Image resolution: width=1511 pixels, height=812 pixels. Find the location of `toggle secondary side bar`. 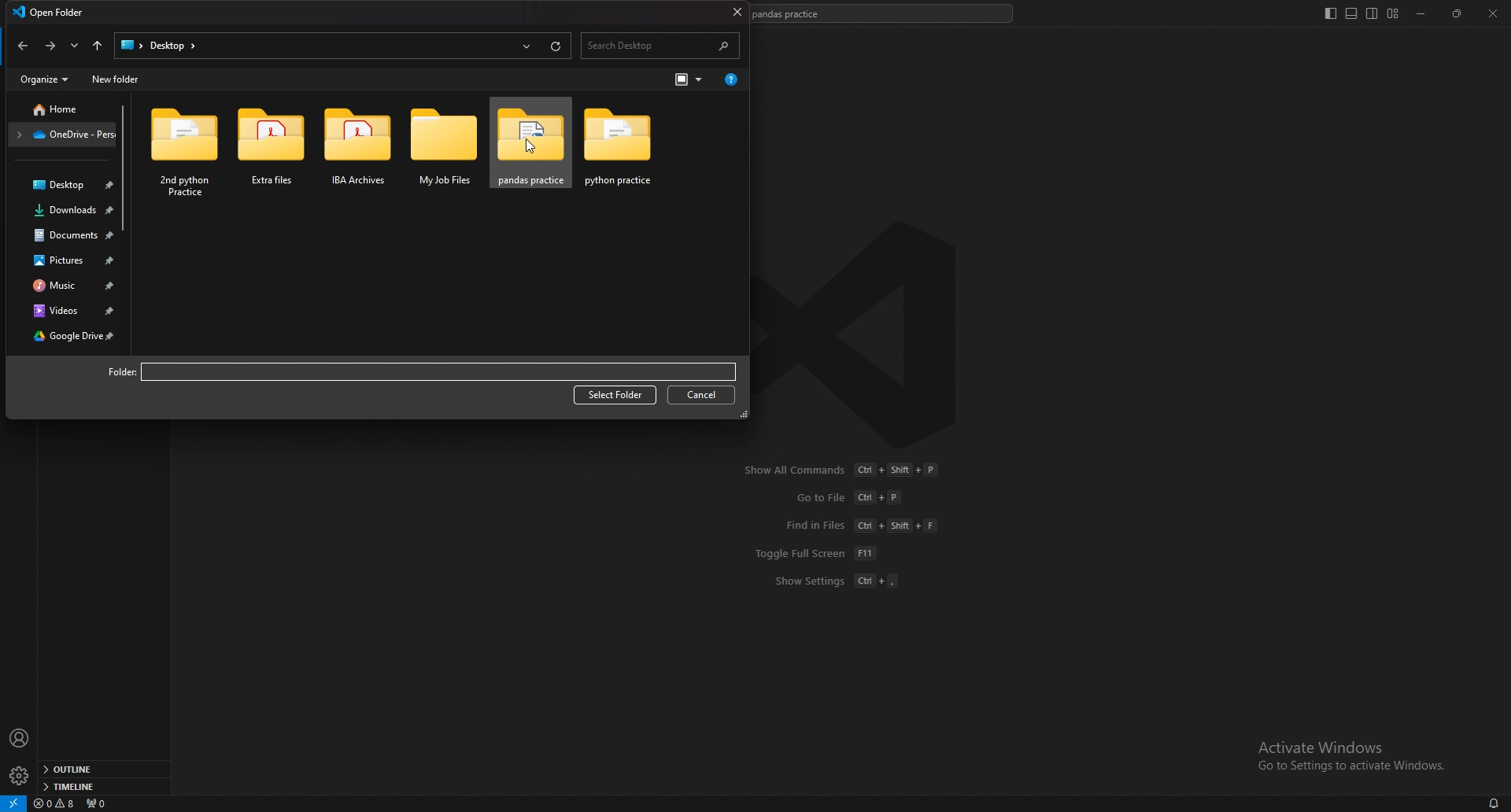

toggle secondary side bar is located at coordinates (1372, 13).